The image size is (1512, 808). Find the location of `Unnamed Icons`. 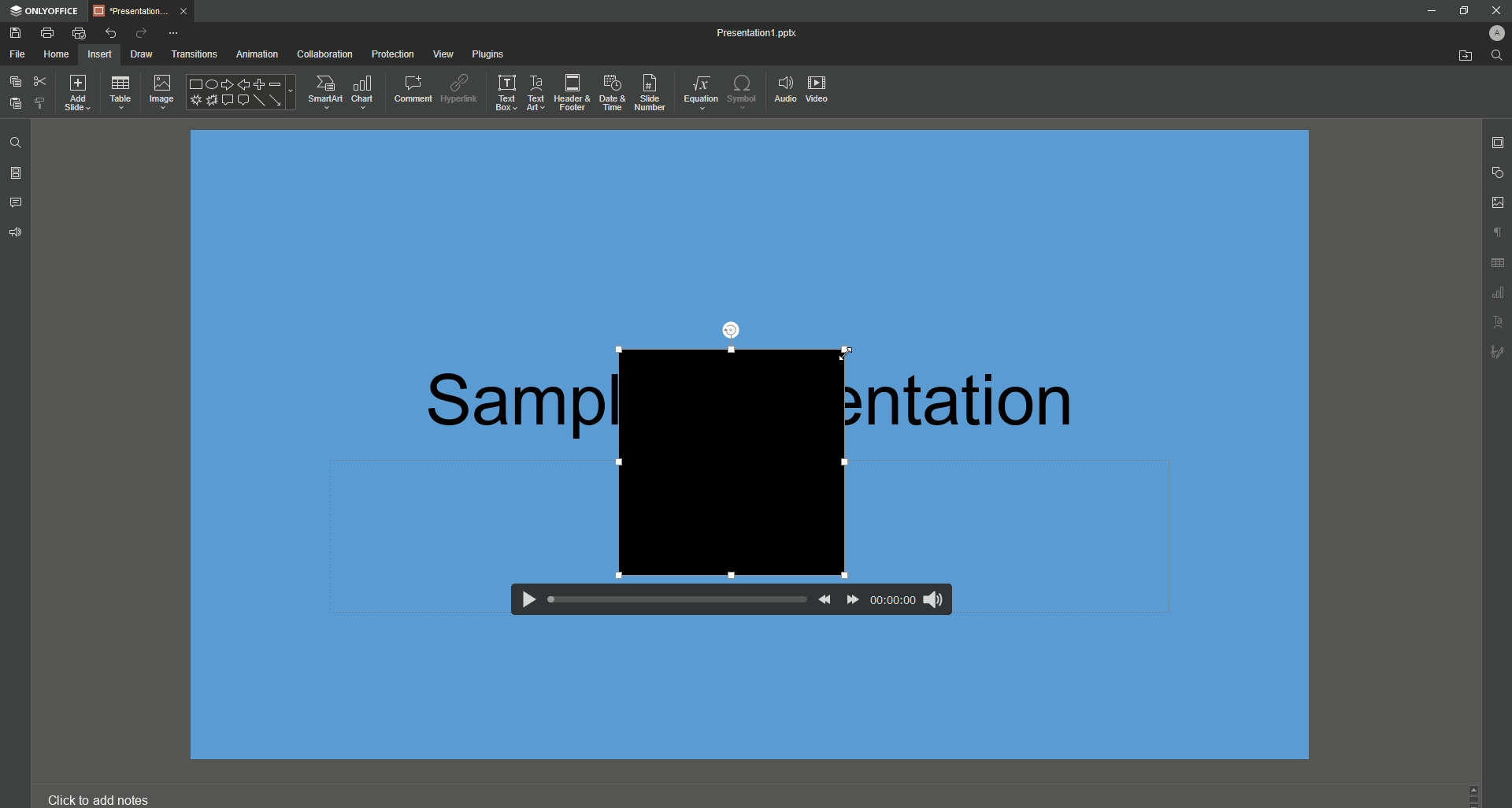

Unnamed Icons is located at coordinates (1494, 295).